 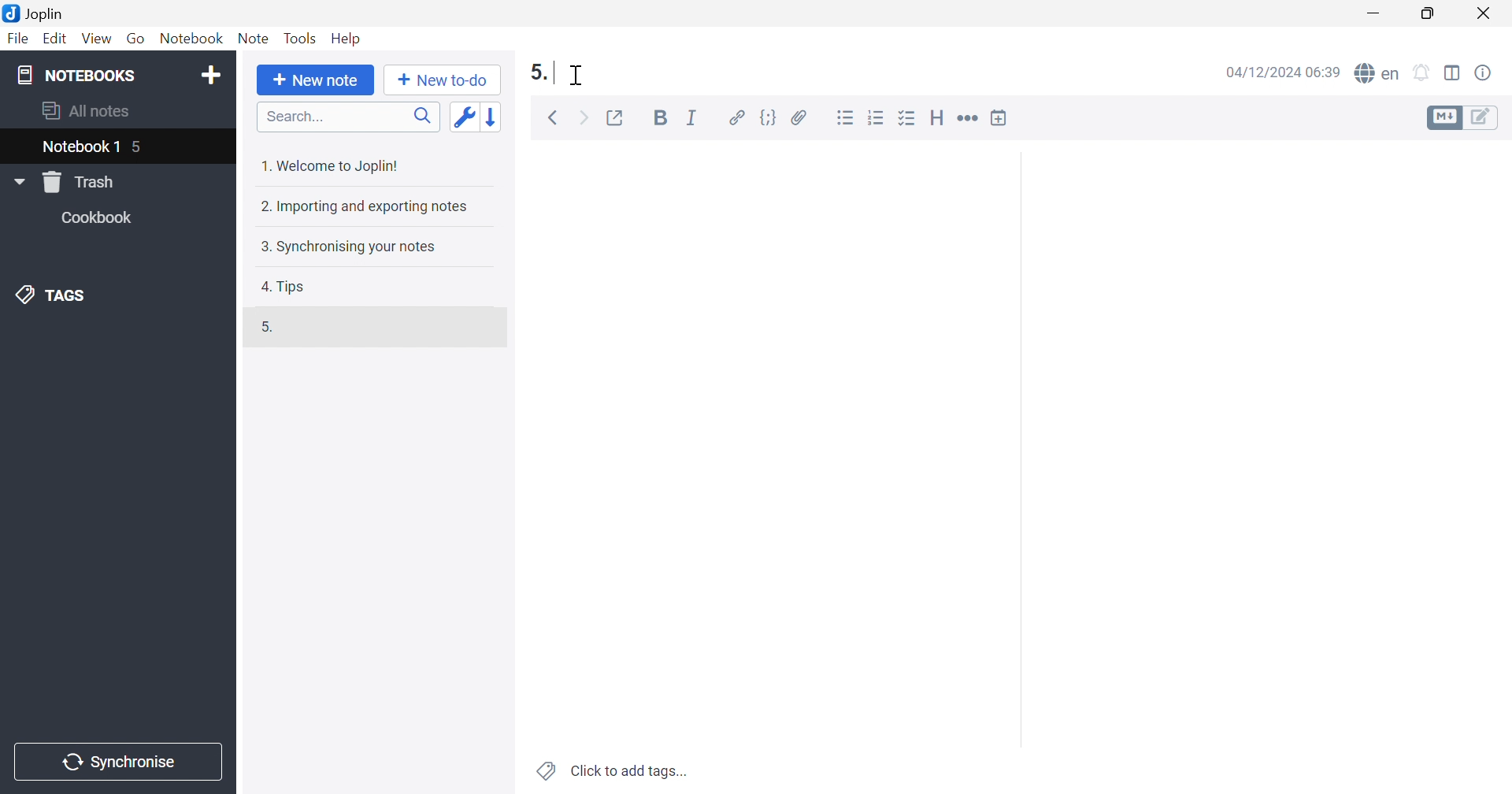 What do you see at coordinates (554, 73) in the screenshot?
I see `Typing cursor` at bounding box center [554, 73].